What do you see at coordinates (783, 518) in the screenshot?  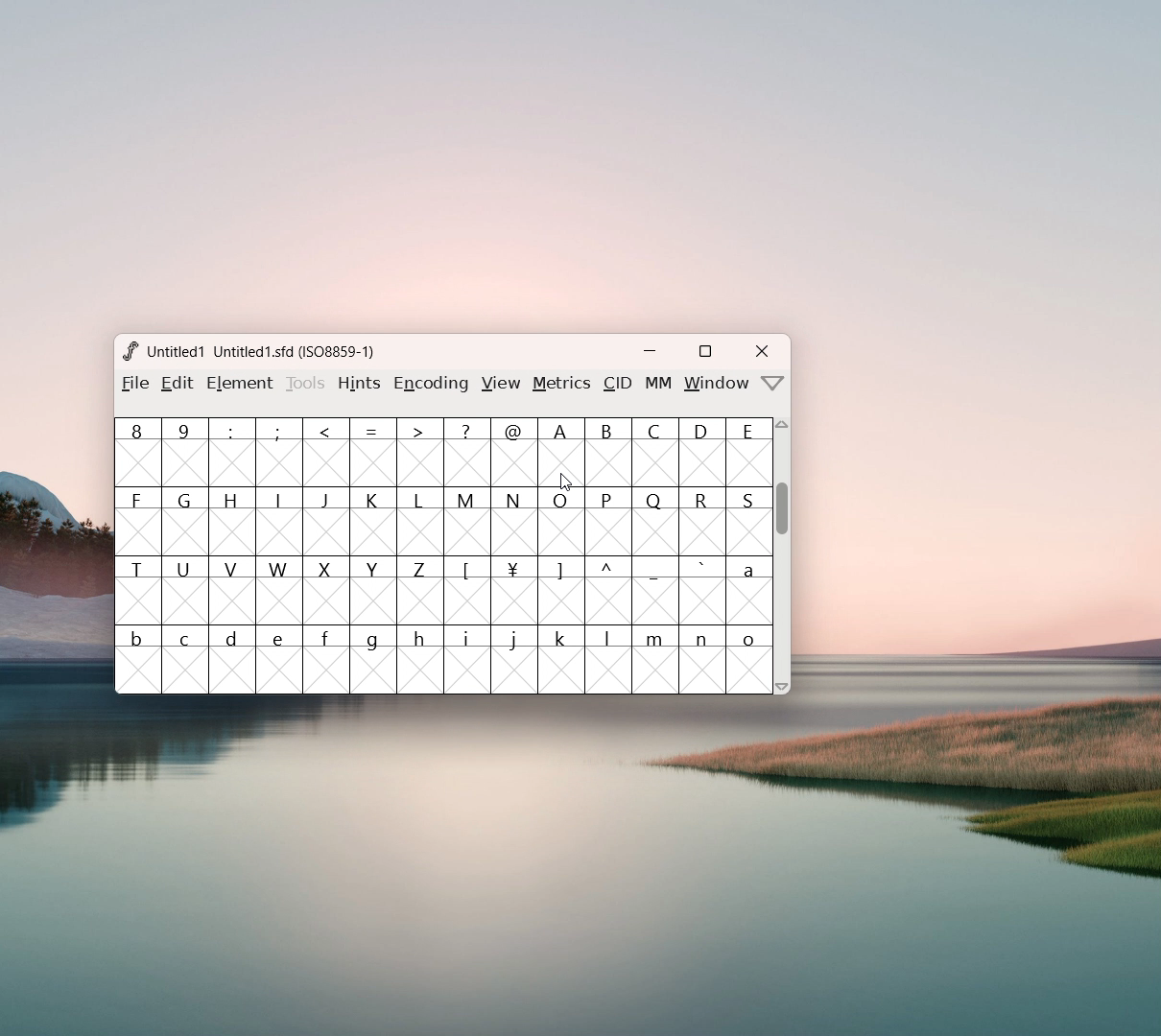 I see `scrollbar` at bounding box center [783, 518].